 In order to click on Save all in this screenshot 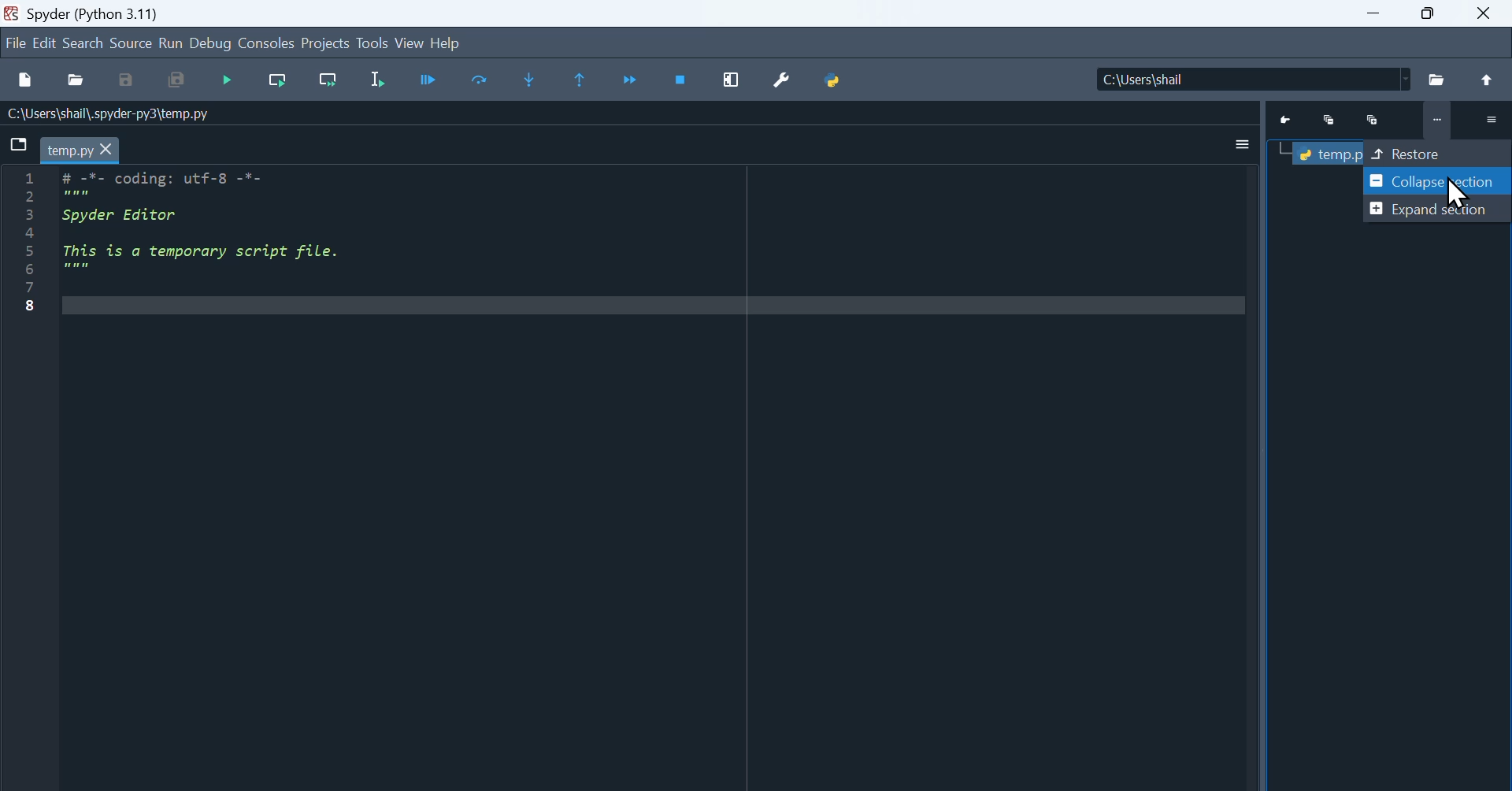, I will do `click(176, 81)`.